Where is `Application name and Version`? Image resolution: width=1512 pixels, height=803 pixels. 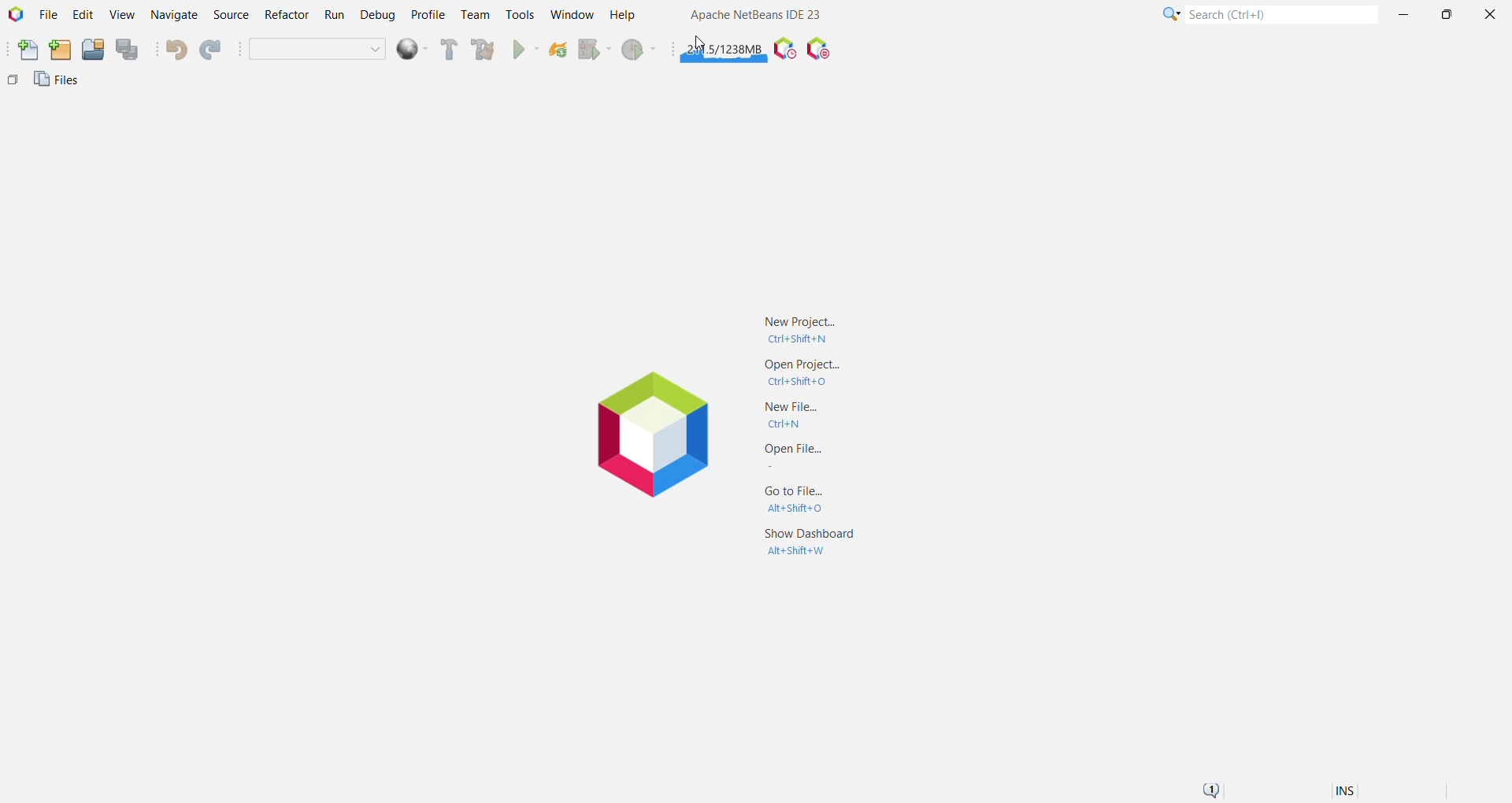
Application name and Version is located at coordinates (754, 17).